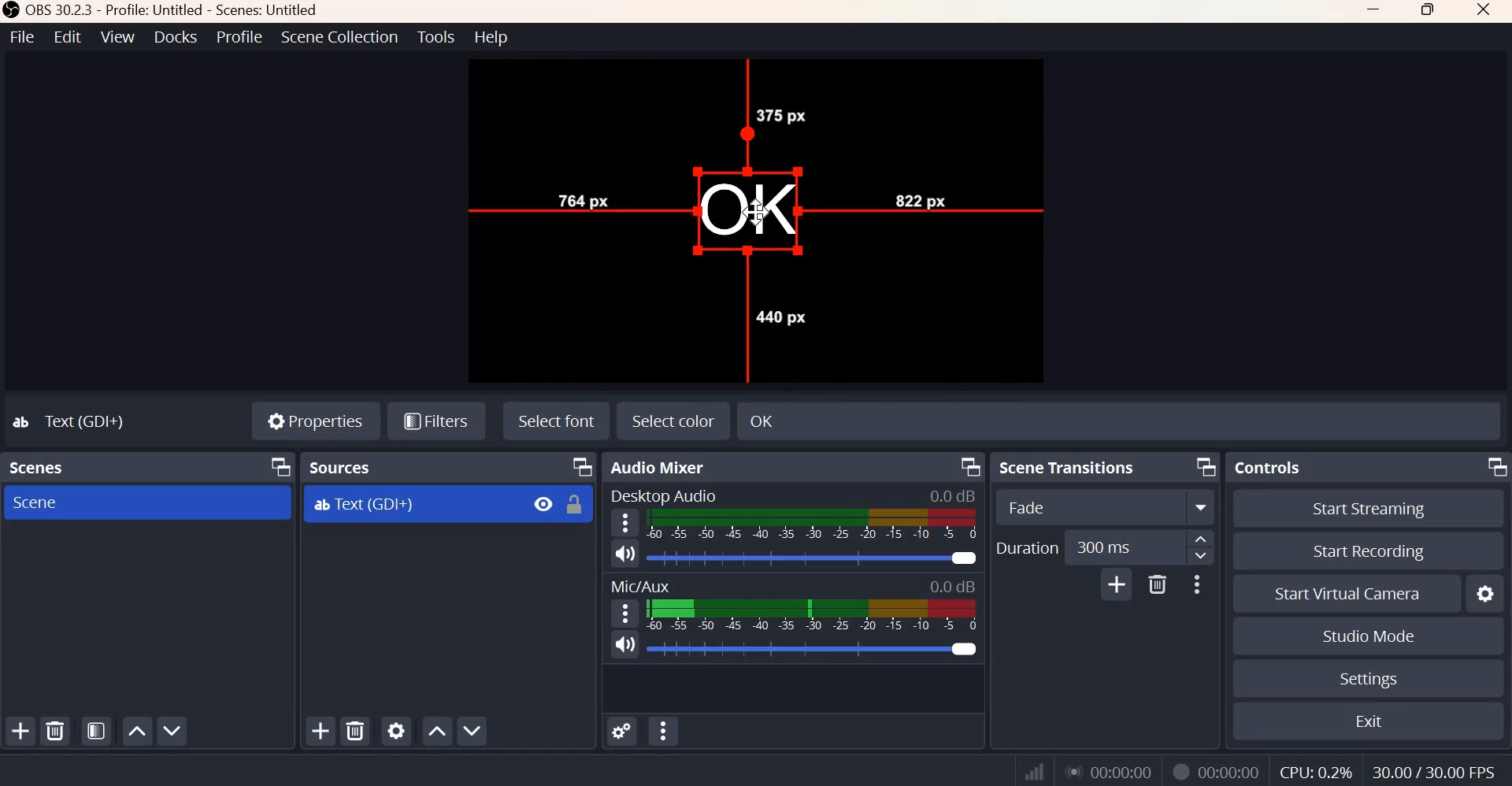  I want to click on File, so click(23, 36).